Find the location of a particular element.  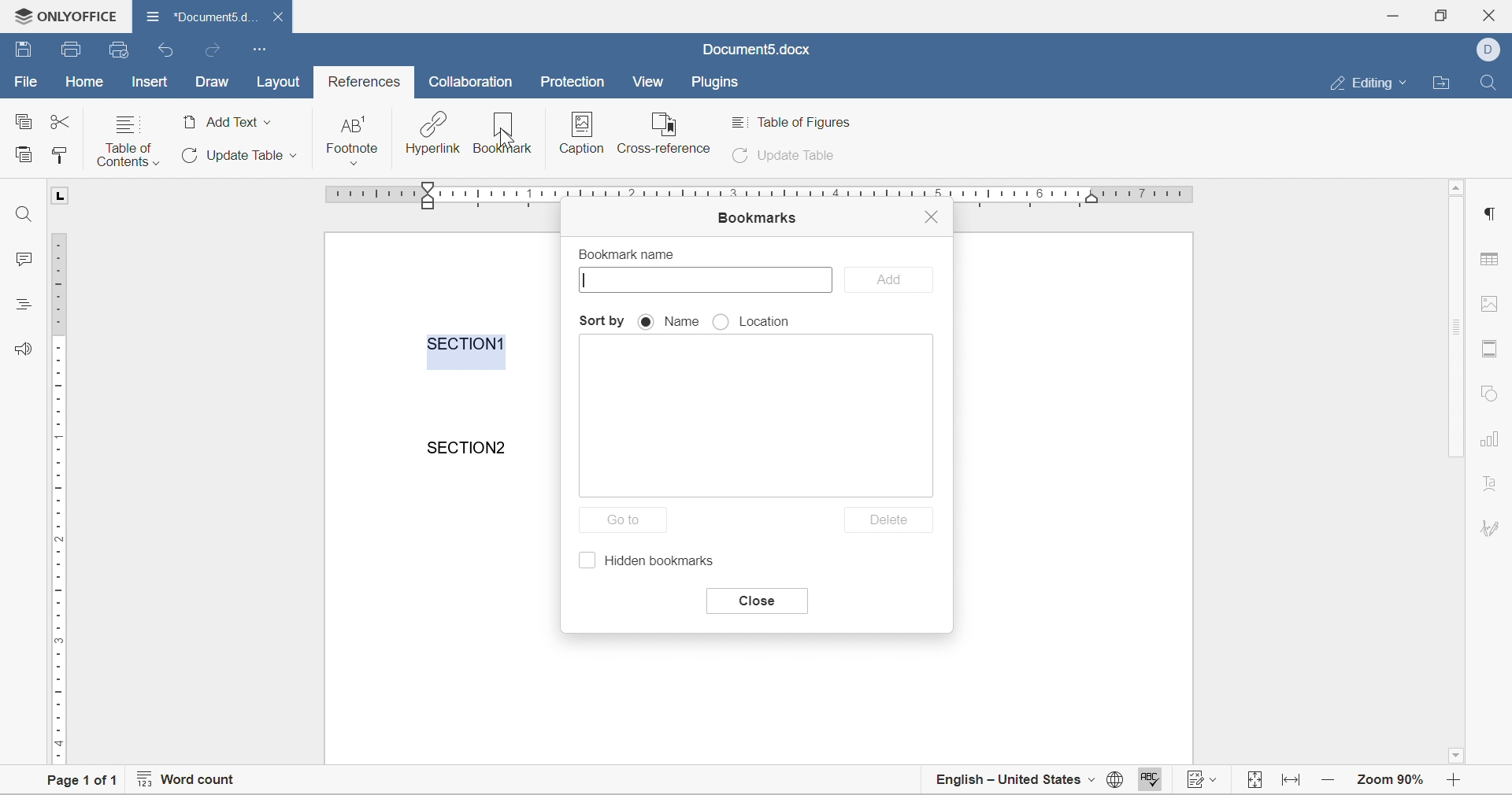

feedback and support is located at coordinates (24, 347).